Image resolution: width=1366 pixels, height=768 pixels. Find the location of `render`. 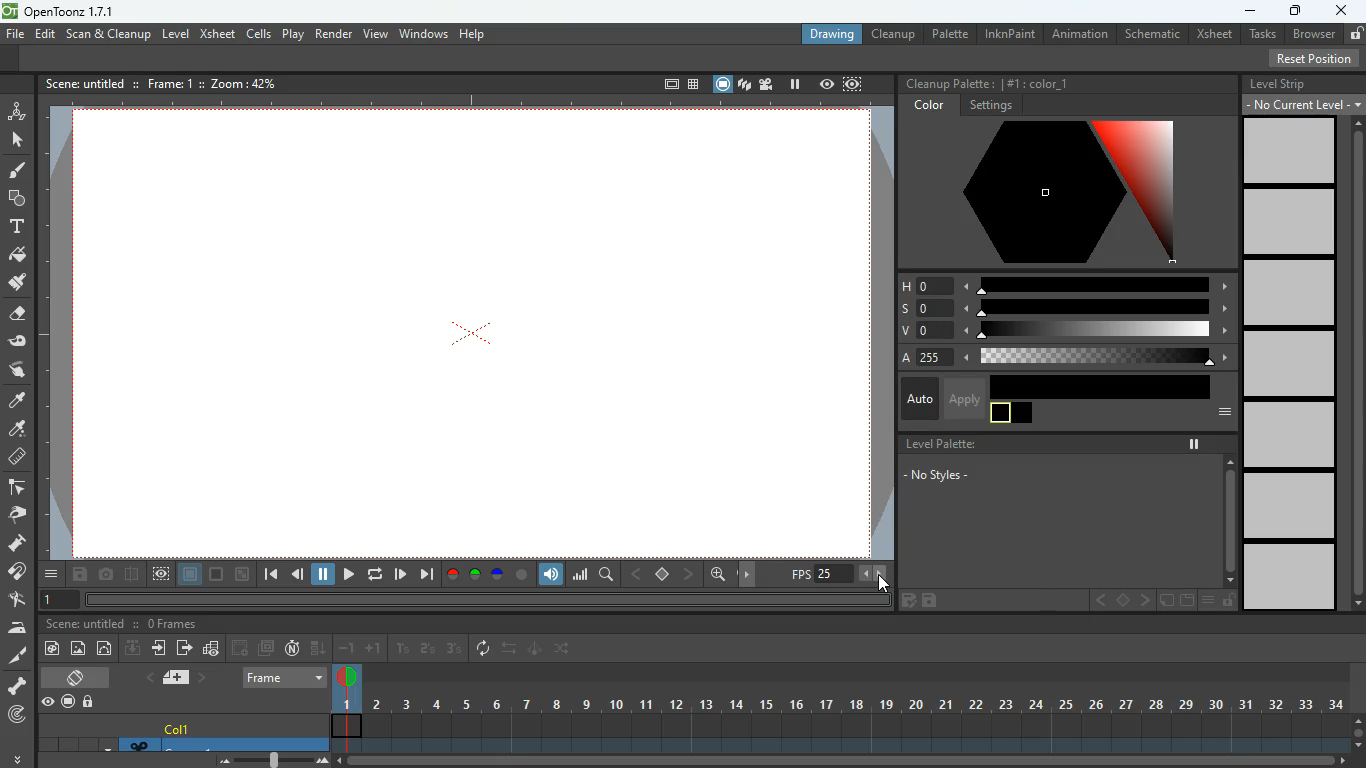

render is located at coordinates (332, 34).